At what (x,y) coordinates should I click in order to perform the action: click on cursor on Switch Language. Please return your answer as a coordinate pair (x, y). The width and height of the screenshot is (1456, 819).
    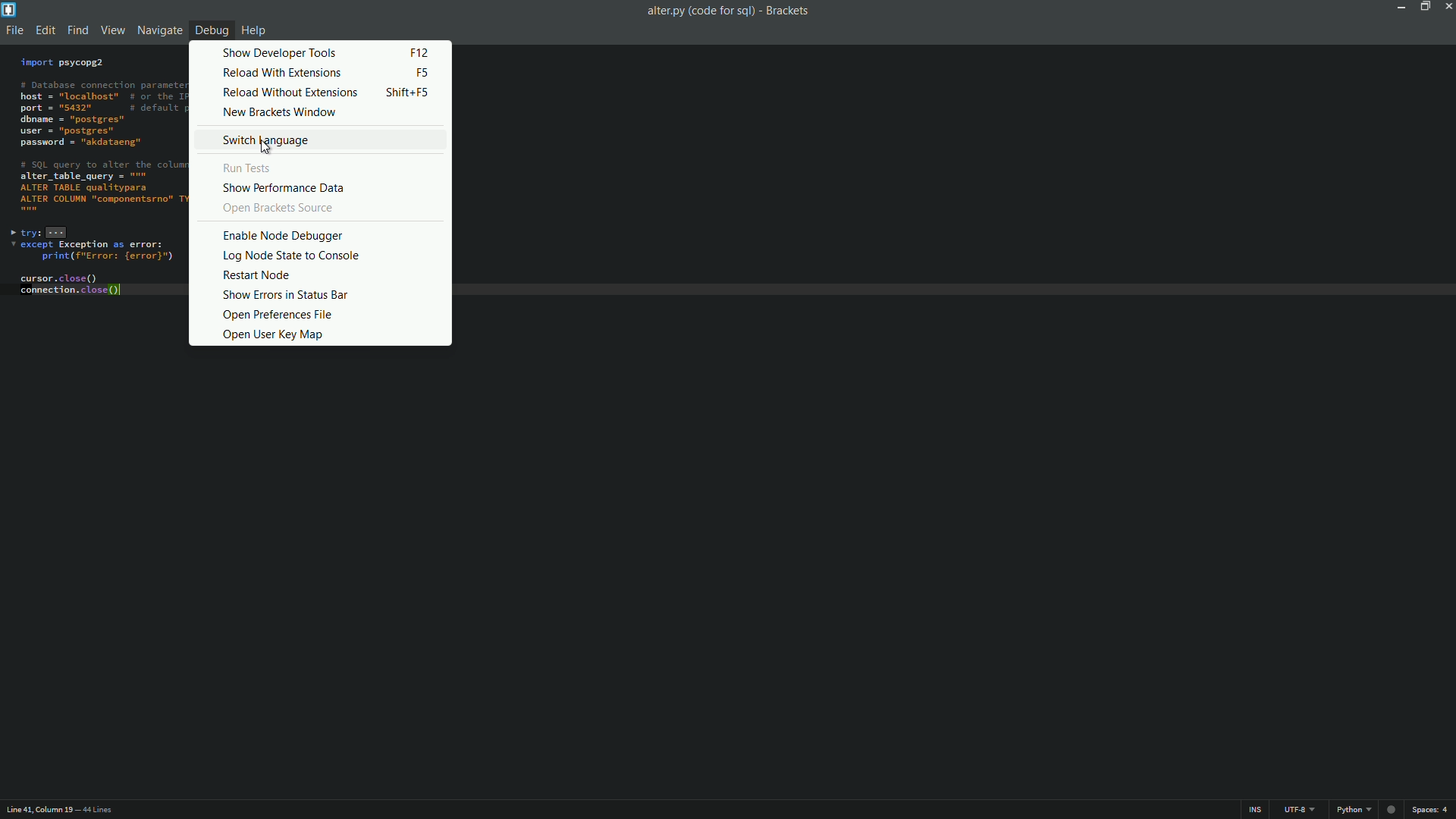
    Looking at the image, I should click on (268, 147).